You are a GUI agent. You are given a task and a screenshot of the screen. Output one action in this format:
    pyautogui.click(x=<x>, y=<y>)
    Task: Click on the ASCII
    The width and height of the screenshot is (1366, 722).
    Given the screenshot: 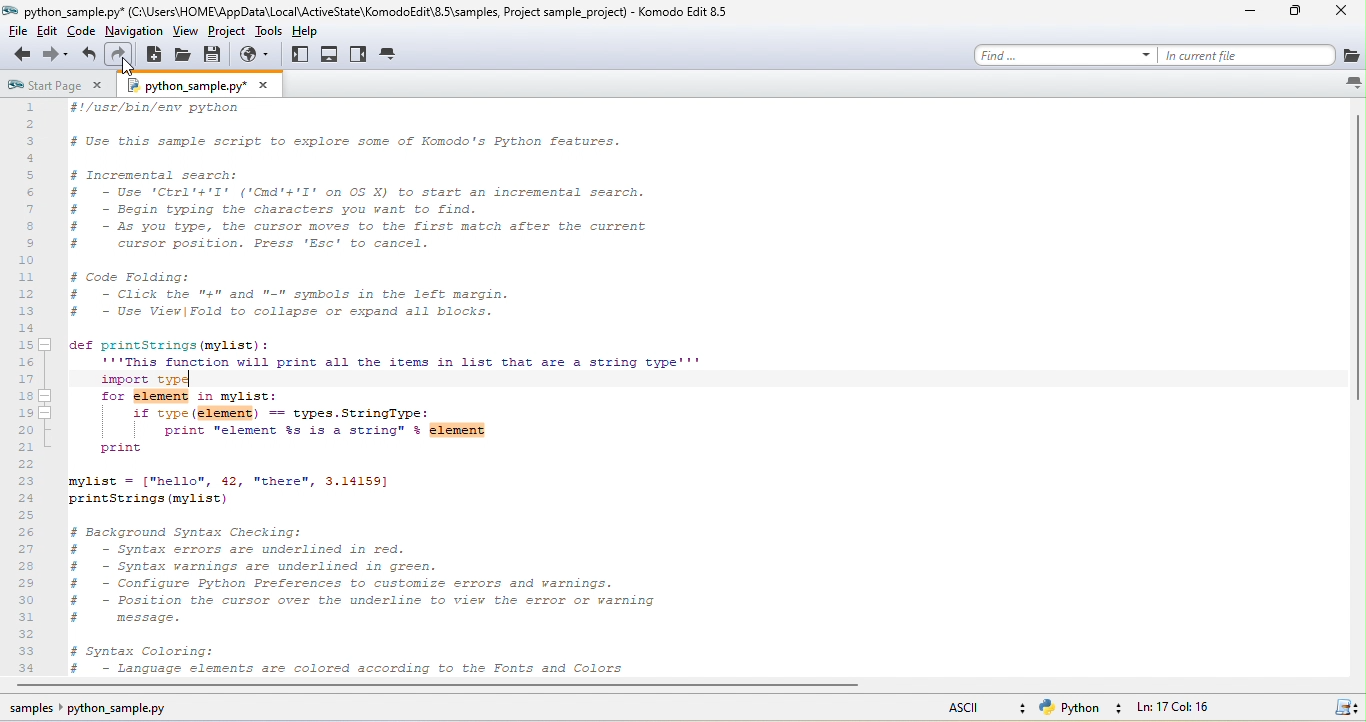 What is the action you would take?
    pyautogui.click(x=955, y=710)
    